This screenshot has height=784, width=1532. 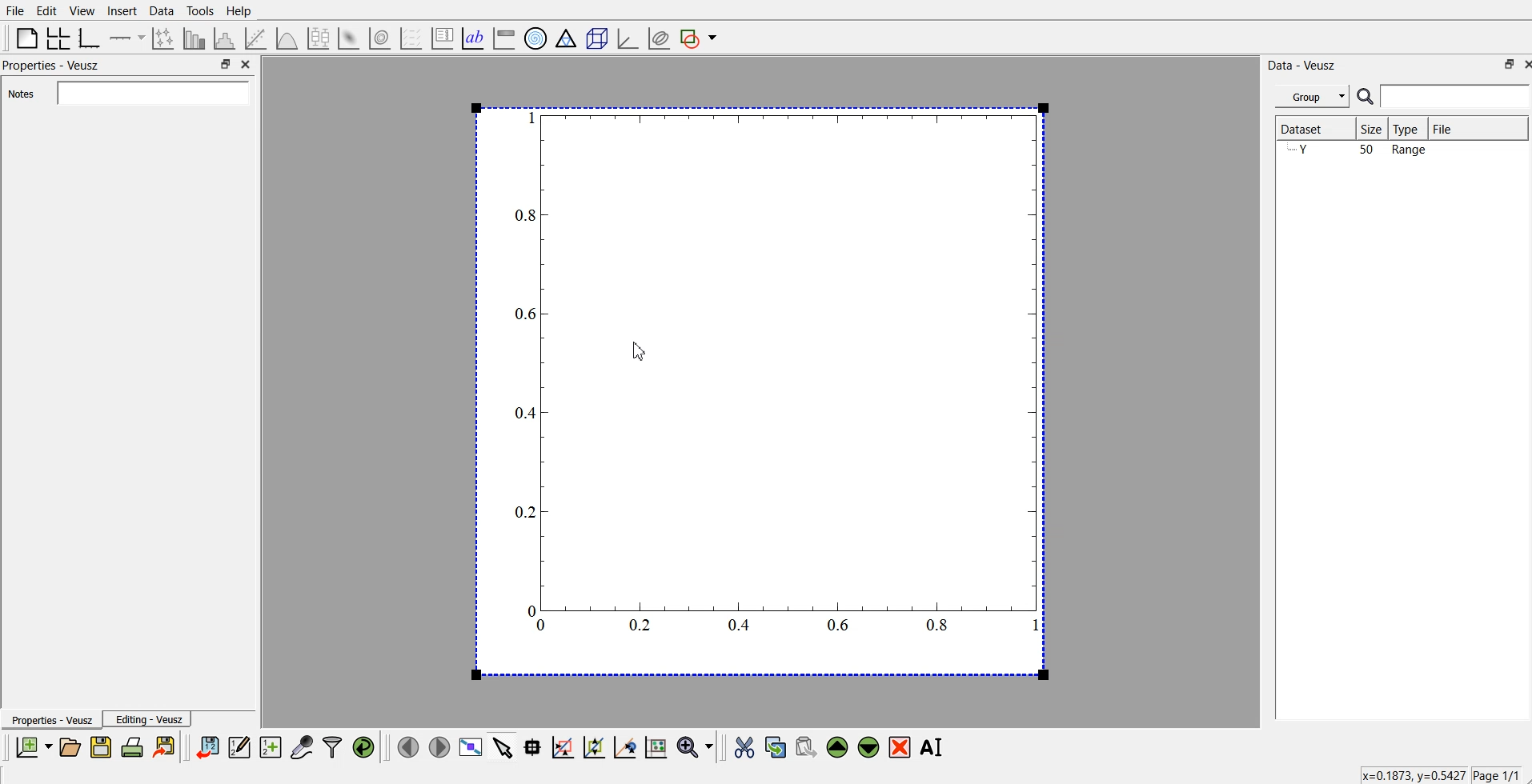 What do you see at coordinates (301, 748) in the screenshot?
I see `capture remote data` at bounding box center [301, 748].